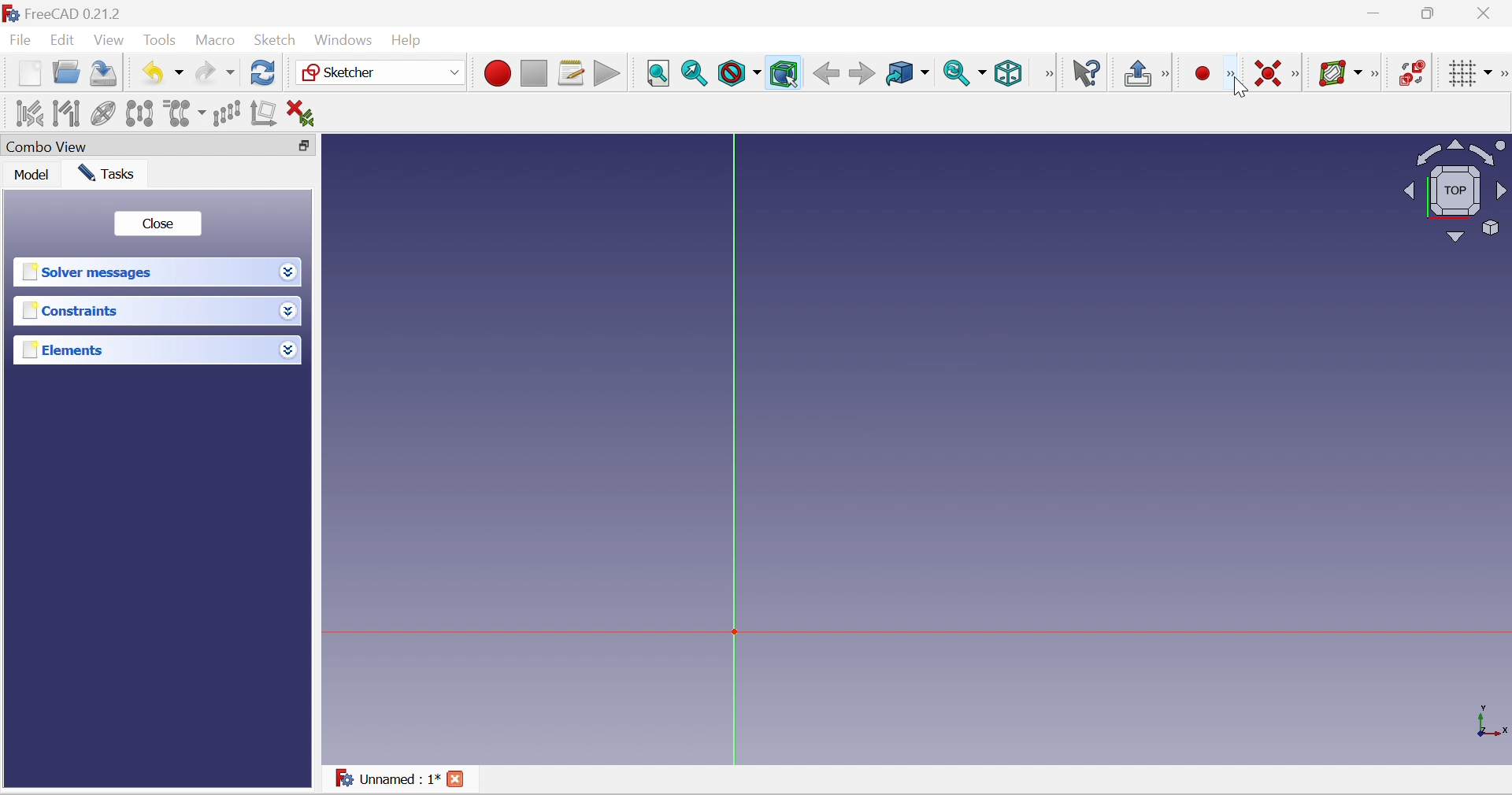  What do you see at coordinates (61, 39) in the screenshot?
I see `Edit` at bounding box center [61, 39].